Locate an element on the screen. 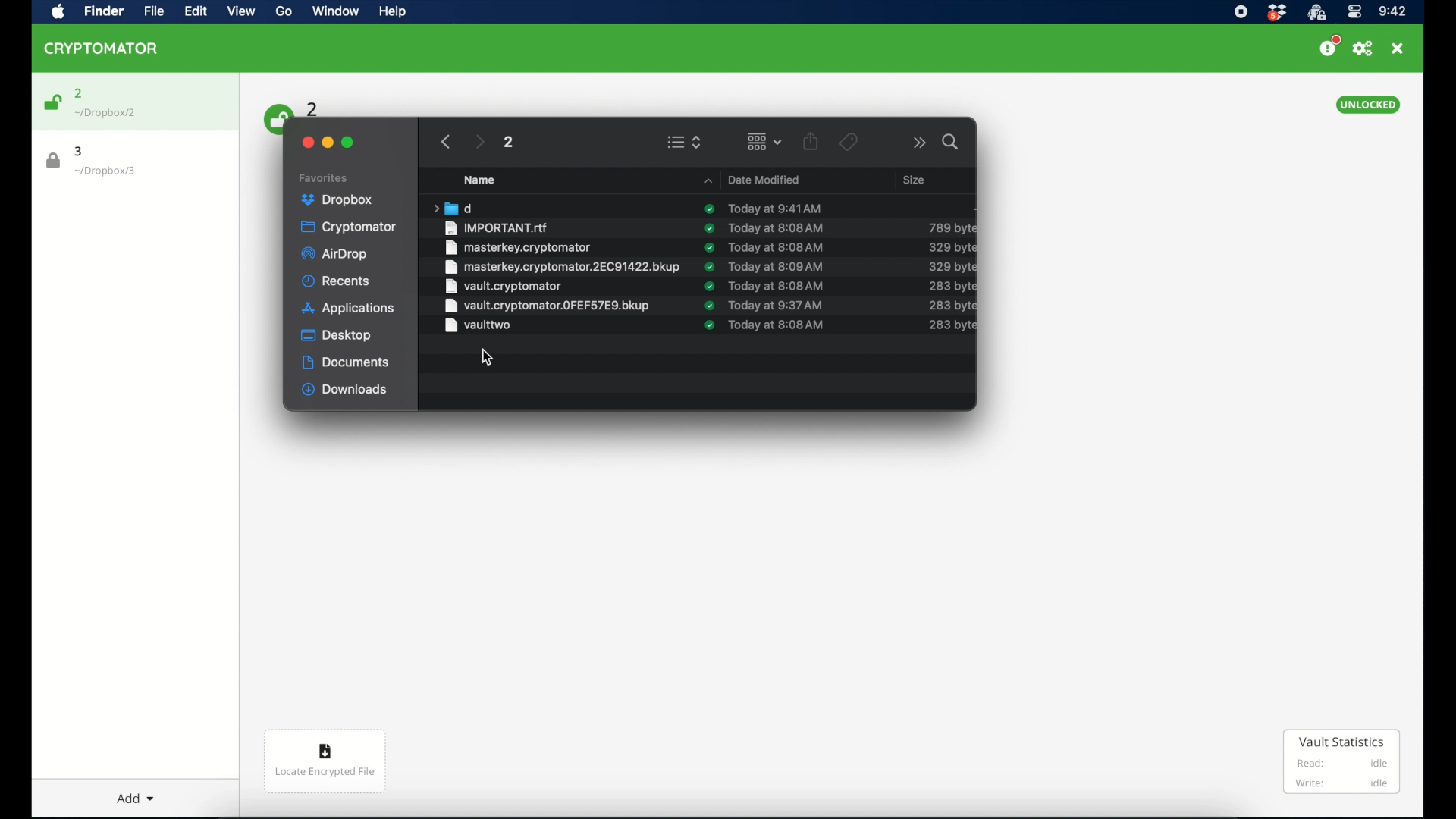  control  center is located at coordinates (1354, 12).